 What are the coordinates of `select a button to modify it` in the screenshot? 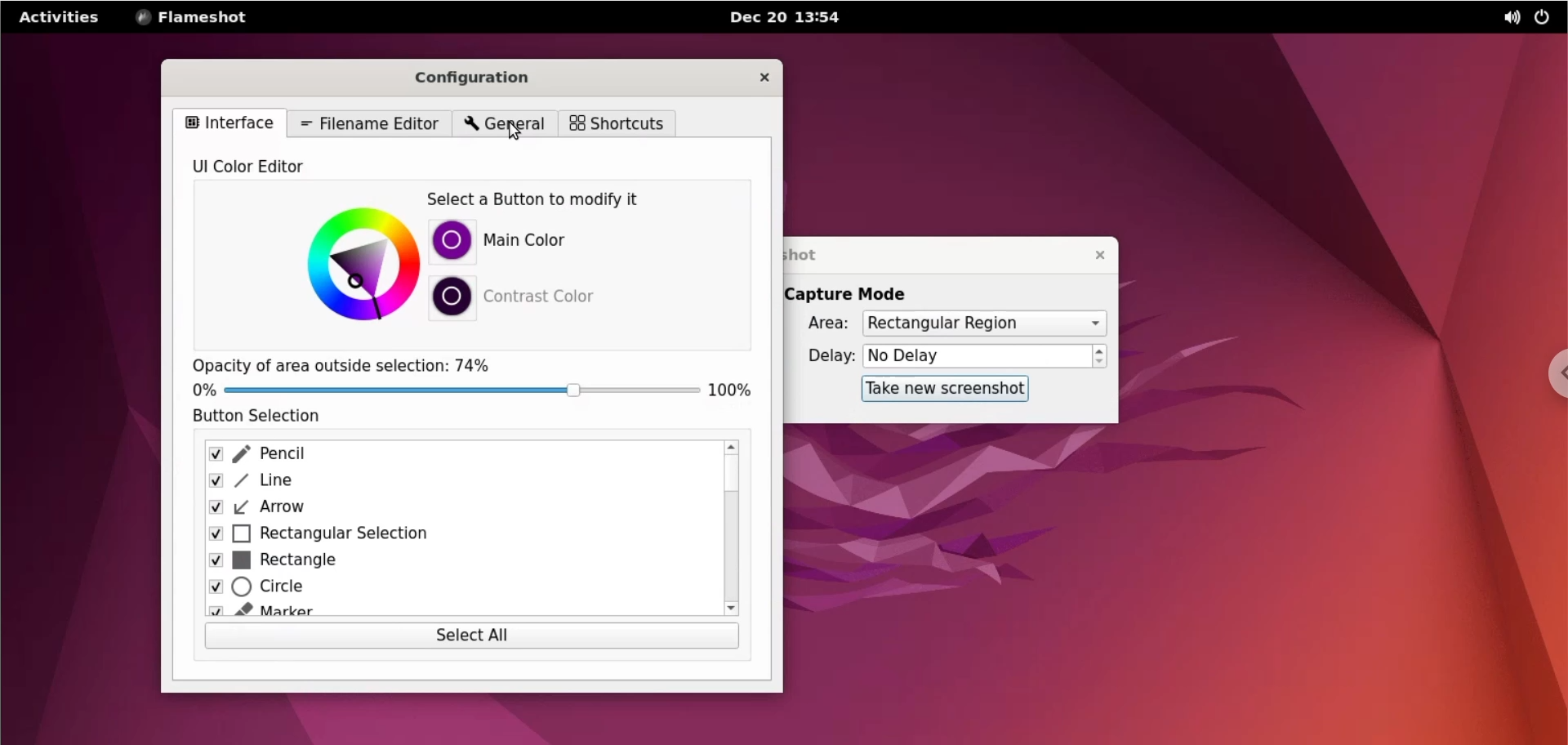 It's located at (552, 200).